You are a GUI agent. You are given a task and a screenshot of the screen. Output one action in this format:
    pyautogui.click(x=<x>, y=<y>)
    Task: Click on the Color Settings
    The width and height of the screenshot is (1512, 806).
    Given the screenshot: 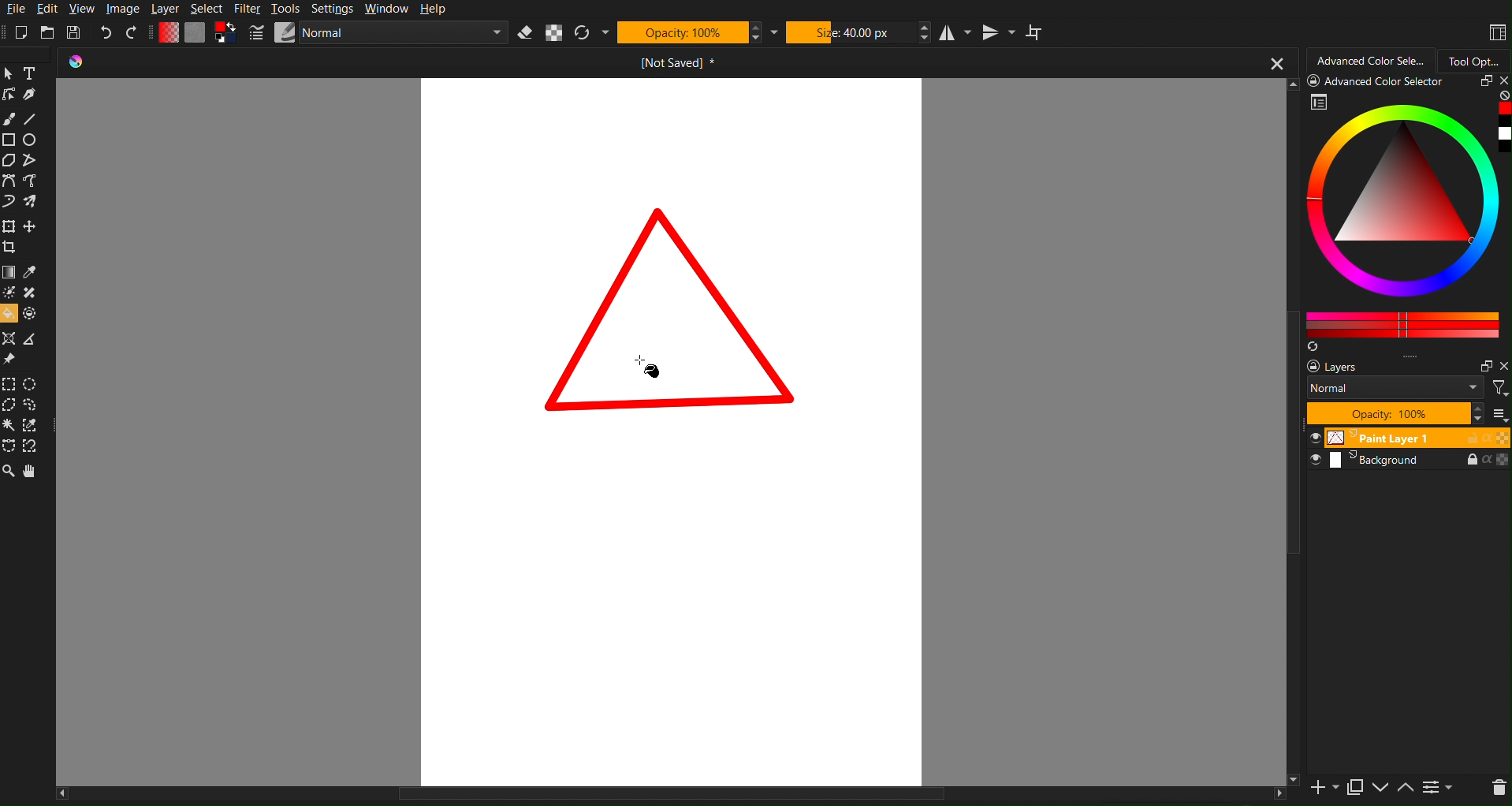 What is the action you would take?
    pyautogui.click(x=194, y=32)
    